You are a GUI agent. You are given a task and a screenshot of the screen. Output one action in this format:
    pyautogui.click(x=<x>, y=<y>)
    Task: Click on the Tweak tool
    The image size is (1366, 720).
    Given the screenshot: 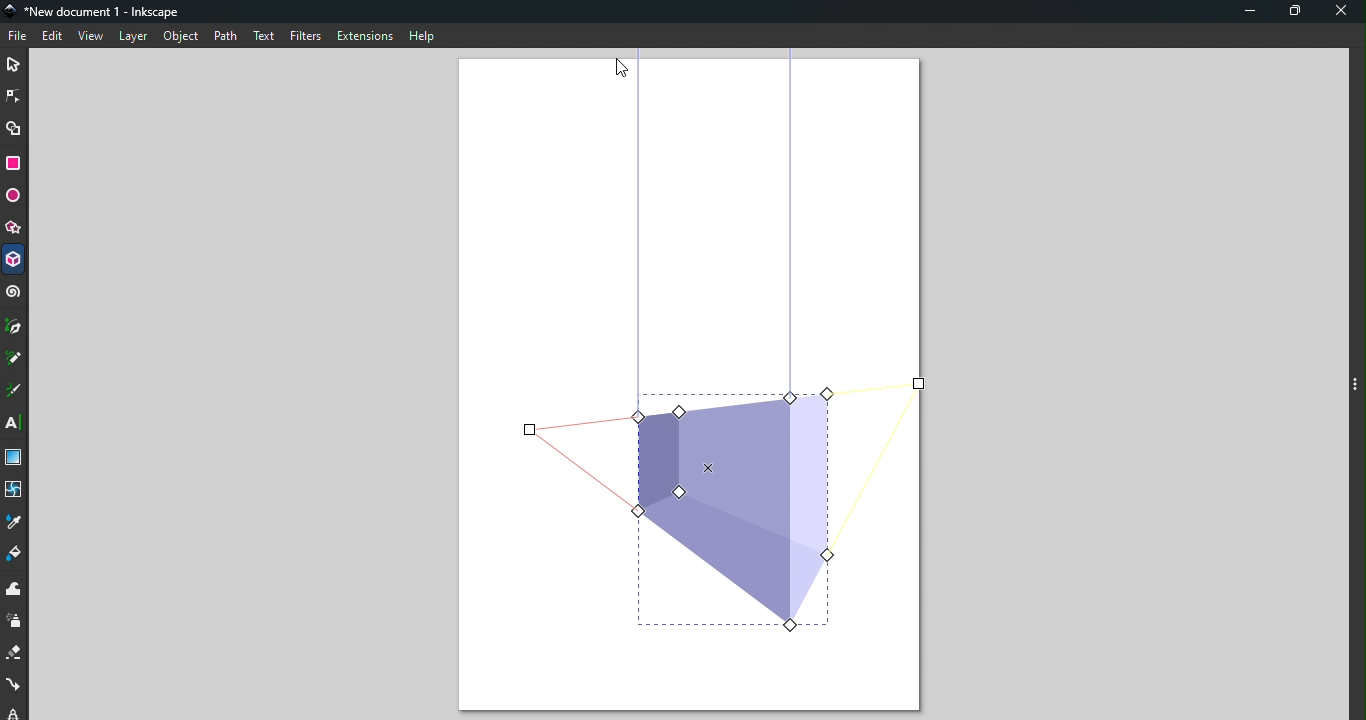 What is the action you would take?
    pyautogui.click(x=17, y=591)
    